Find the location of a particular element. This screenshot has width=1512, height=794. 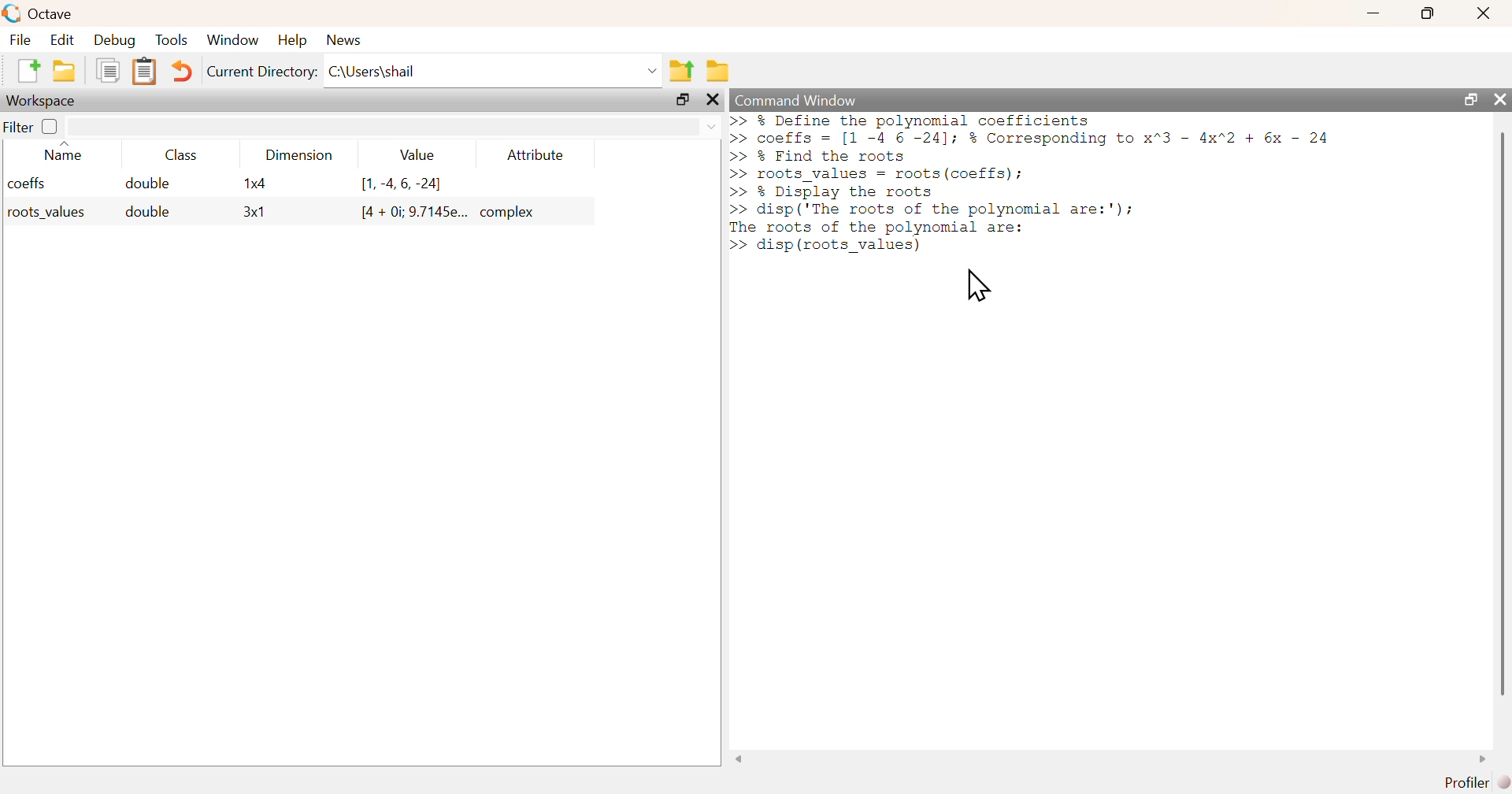

Value is located at coordinates (414, 154).